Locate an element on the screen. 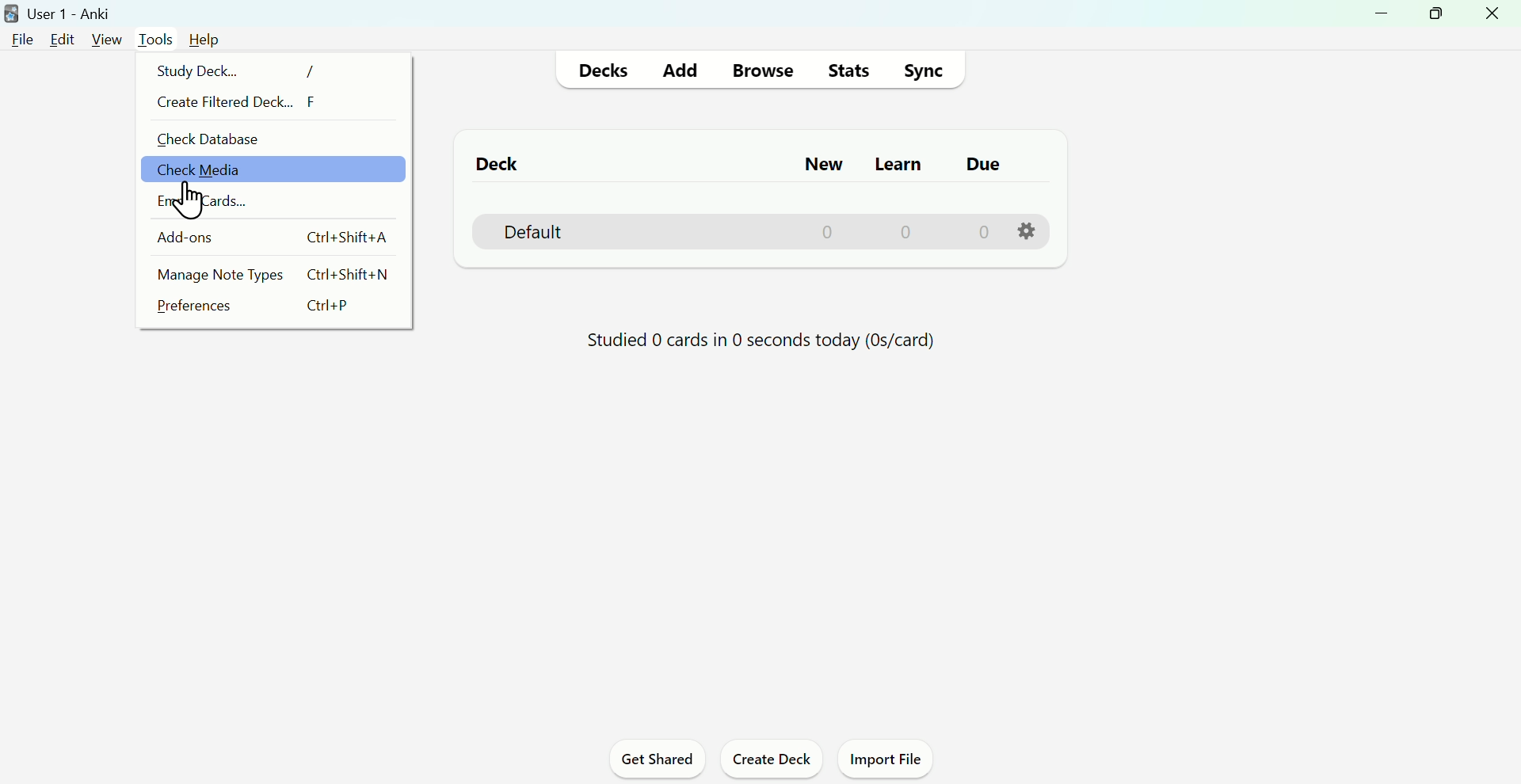 This screenshot has height=784, width=1521. View is located at coordinates (107, 40).